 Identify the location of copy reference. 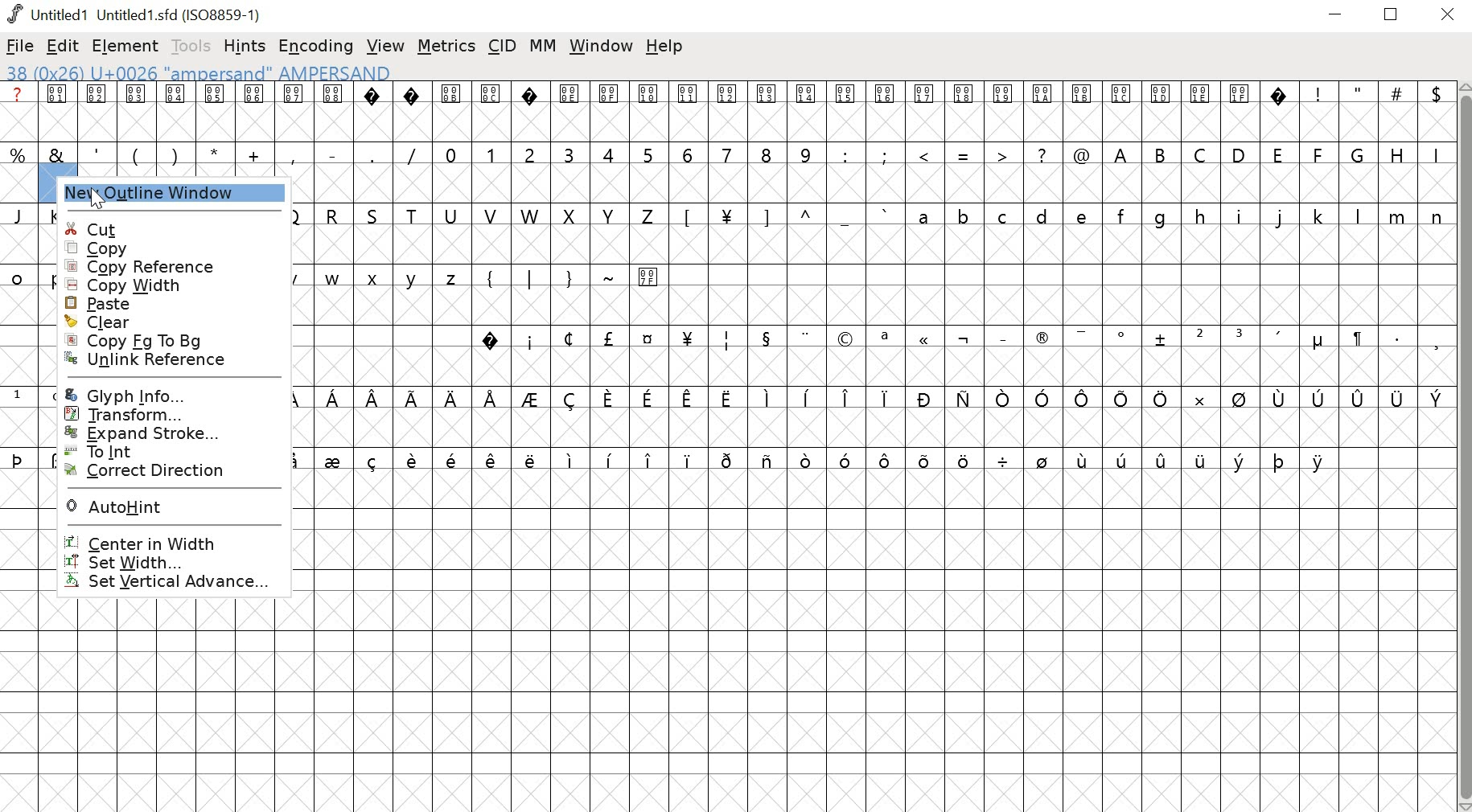
(166, 267).